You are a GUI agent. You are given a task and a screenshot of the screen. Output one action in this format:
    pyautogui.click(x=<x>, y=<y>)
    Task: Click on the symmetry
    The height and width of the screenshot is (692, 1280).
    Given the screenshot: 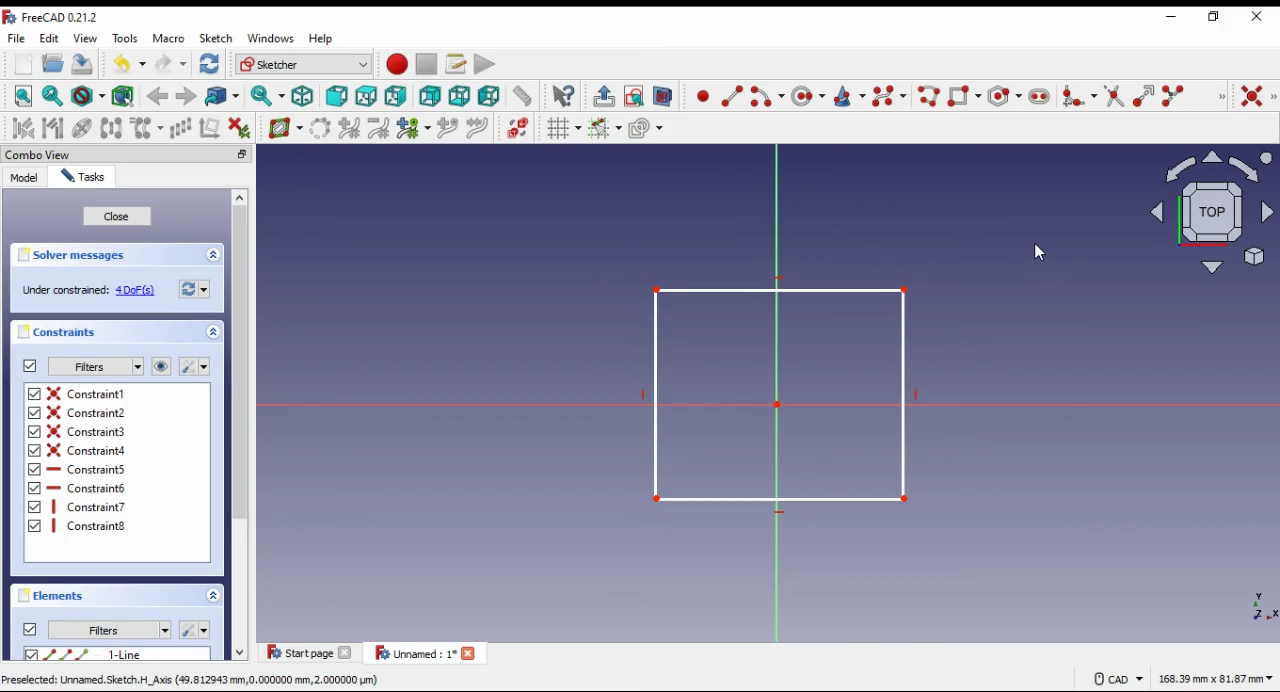 What is the action you would take?
    pyautogui.click(x=113, y=129)
    